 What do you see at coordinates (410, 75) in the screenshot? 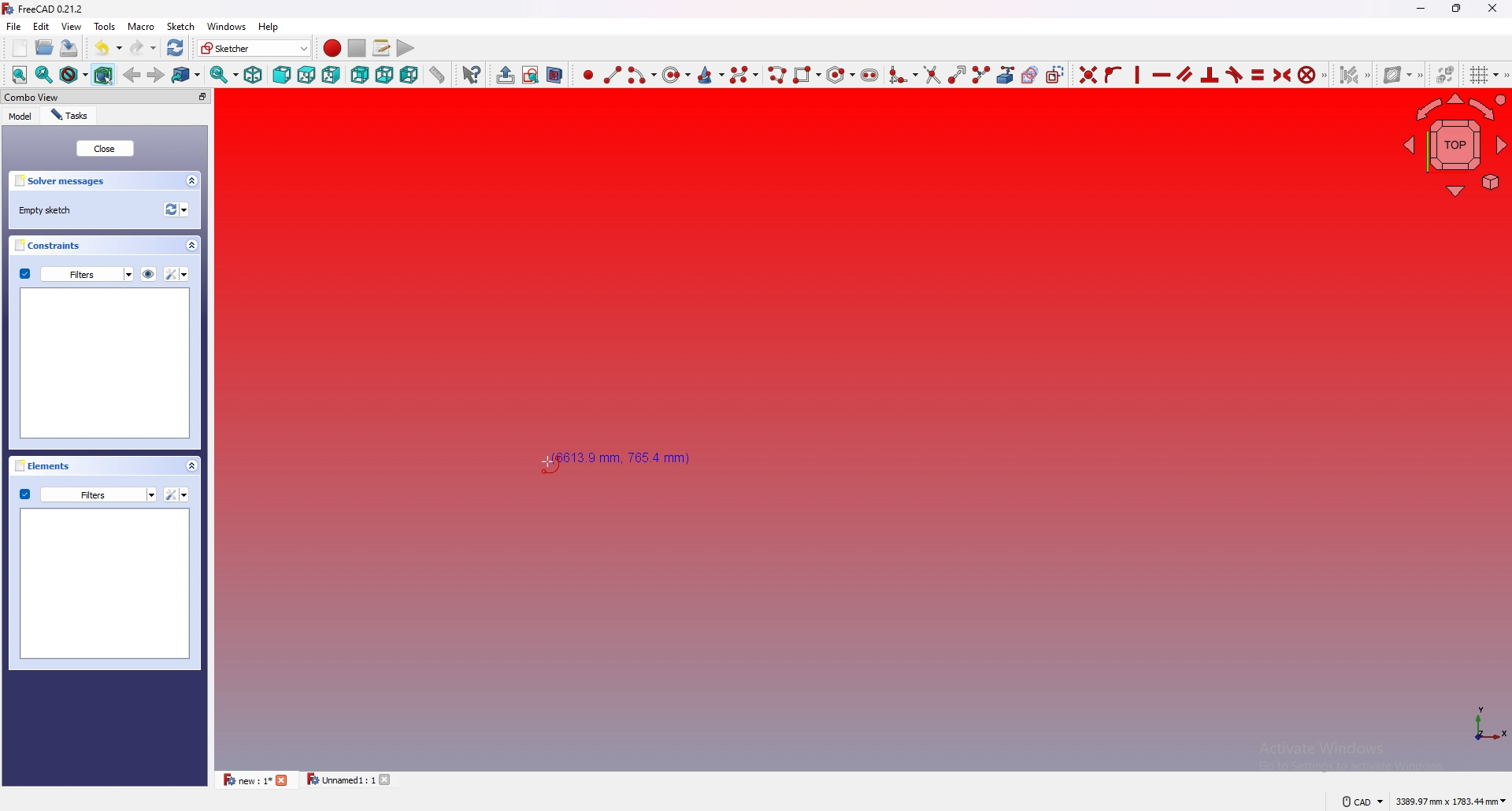
I see `left` at bounding box center [410, 75].